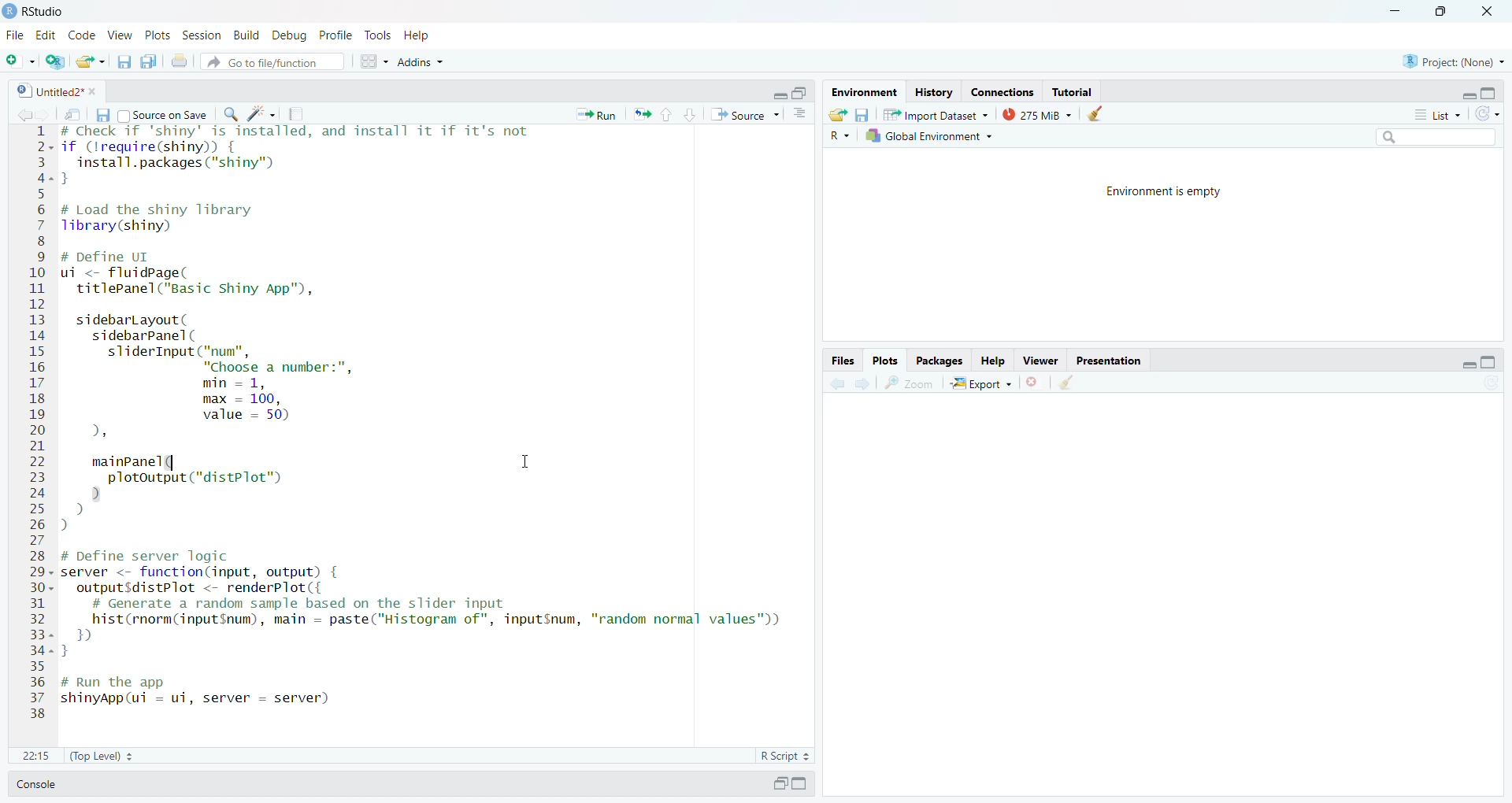  What do you see at coordinates (416, 35) in the screenshot?
I see `help` at bounding box center [416, 35].